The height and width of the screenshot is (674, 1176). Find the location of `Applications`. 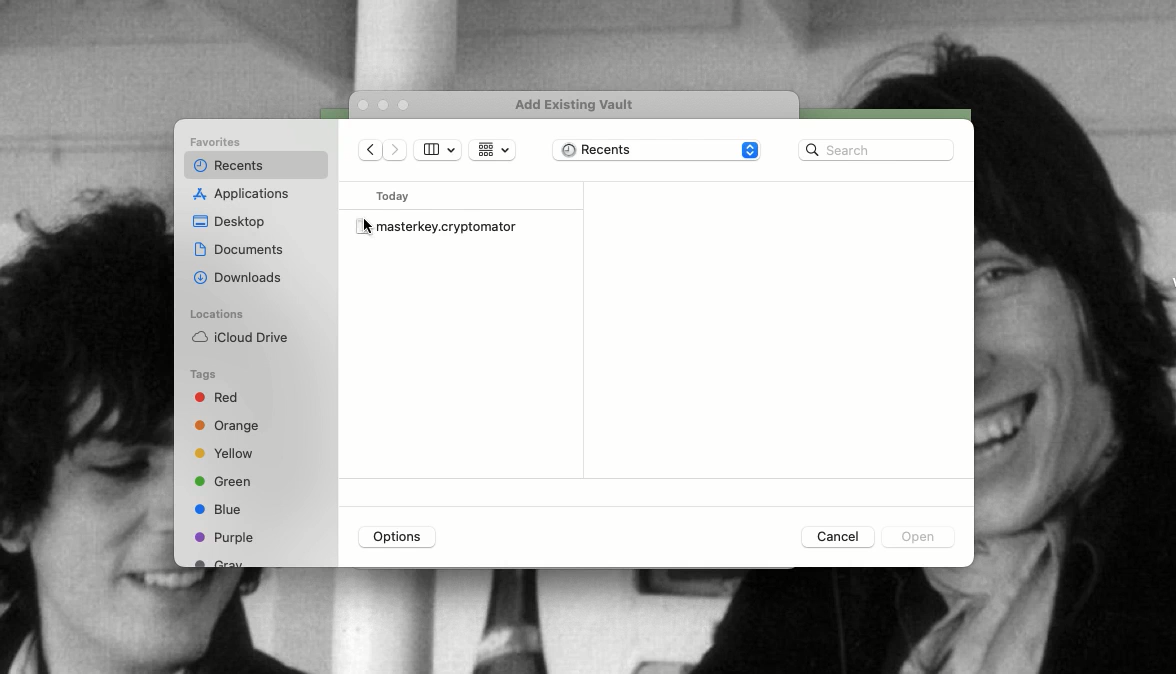

Applications is located at coordinates (245, 195).